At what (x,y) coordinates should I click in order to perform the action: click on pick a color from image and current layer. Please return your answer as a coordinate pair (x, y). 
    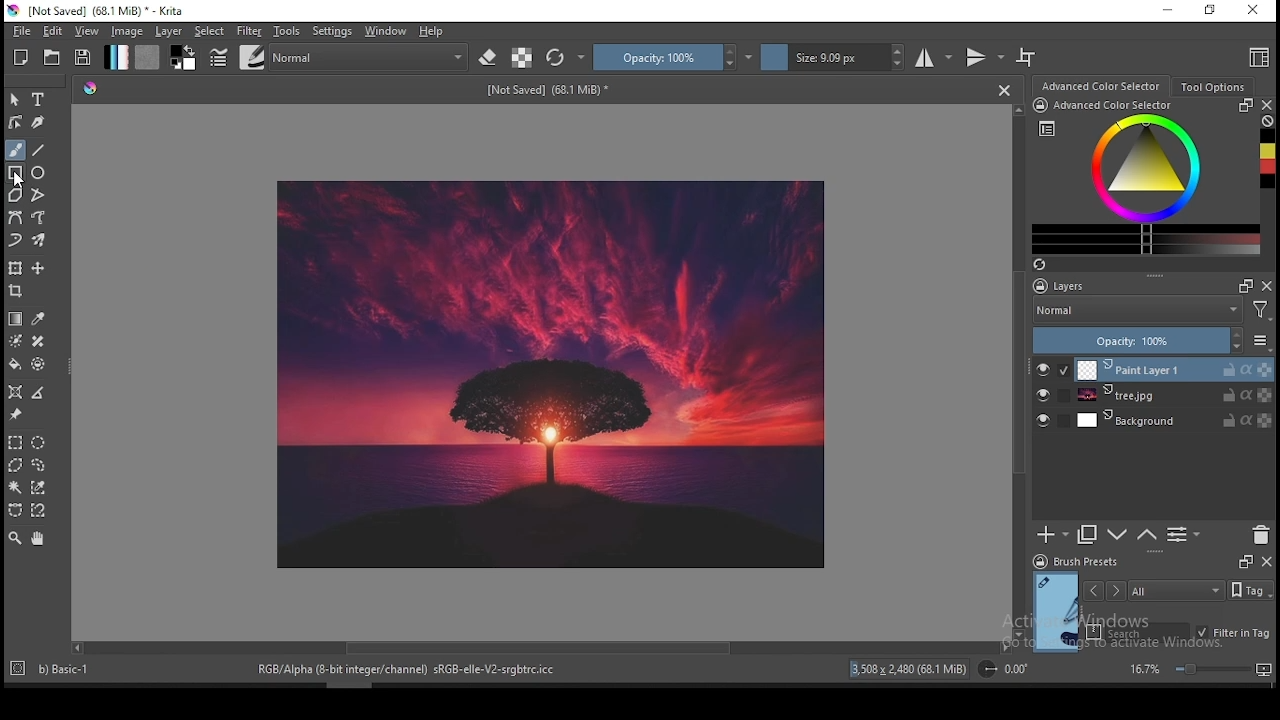
    Looking at the image, I should click on (38, 318).